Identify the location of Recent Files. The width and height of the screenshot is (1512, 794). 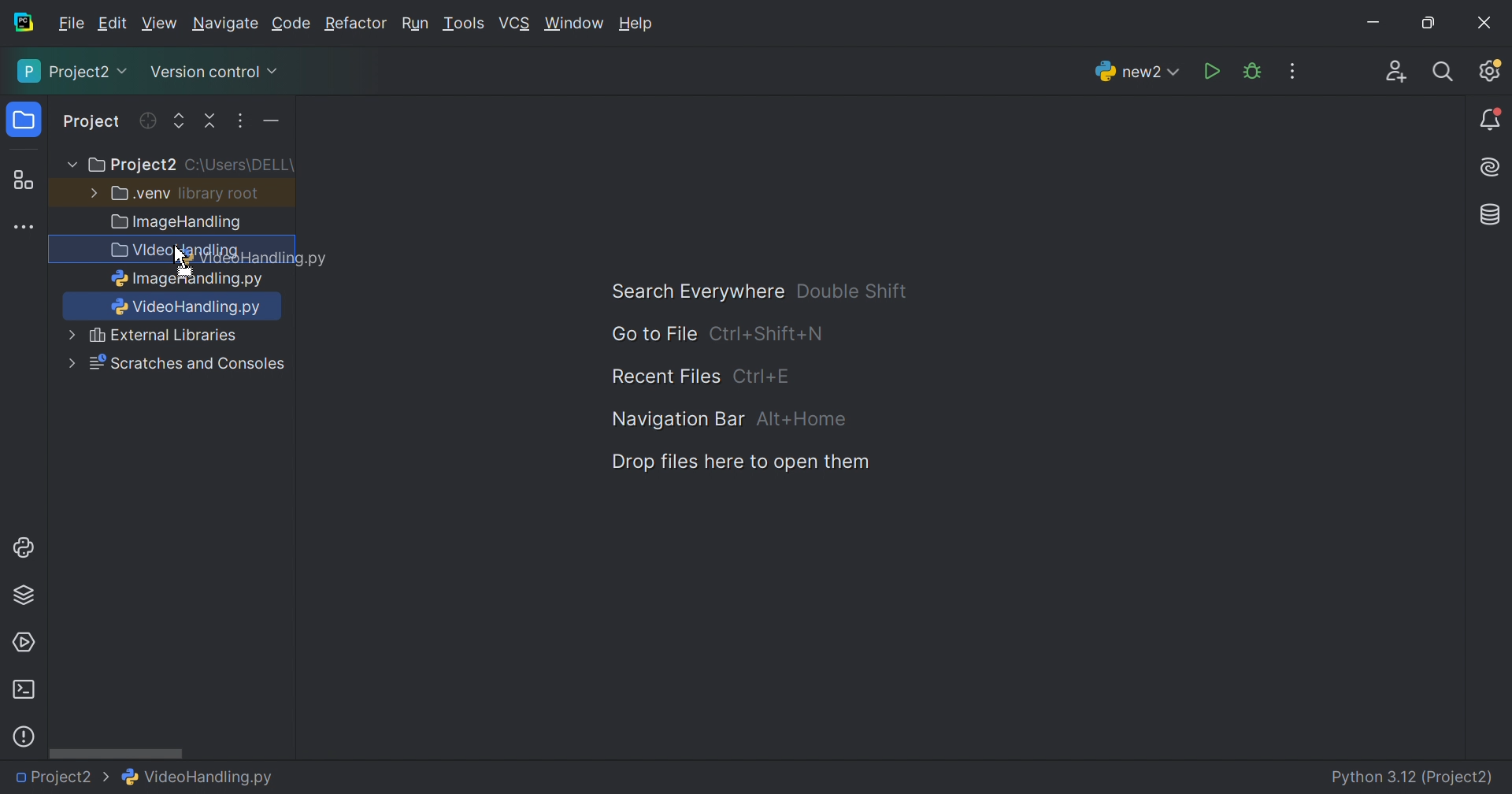
(665, 377).